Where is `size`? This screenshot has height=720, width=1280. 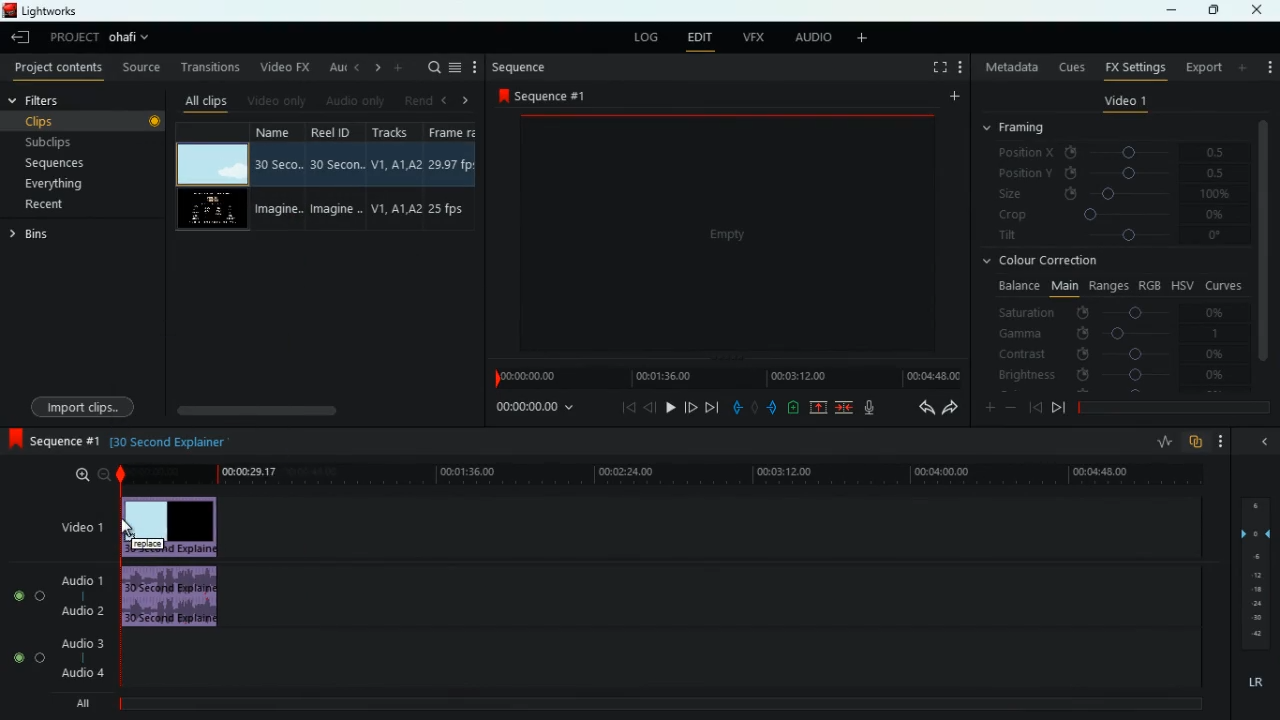 size is located at coordinates (1111, 194).